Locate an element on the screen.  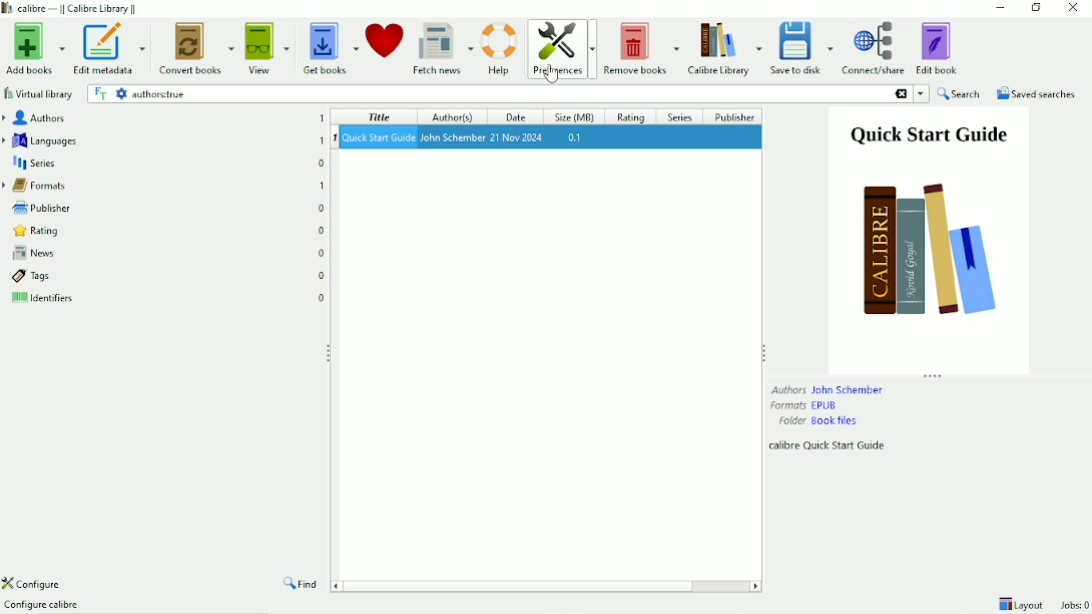
Edit metadata is located at coordinates (110, 51).